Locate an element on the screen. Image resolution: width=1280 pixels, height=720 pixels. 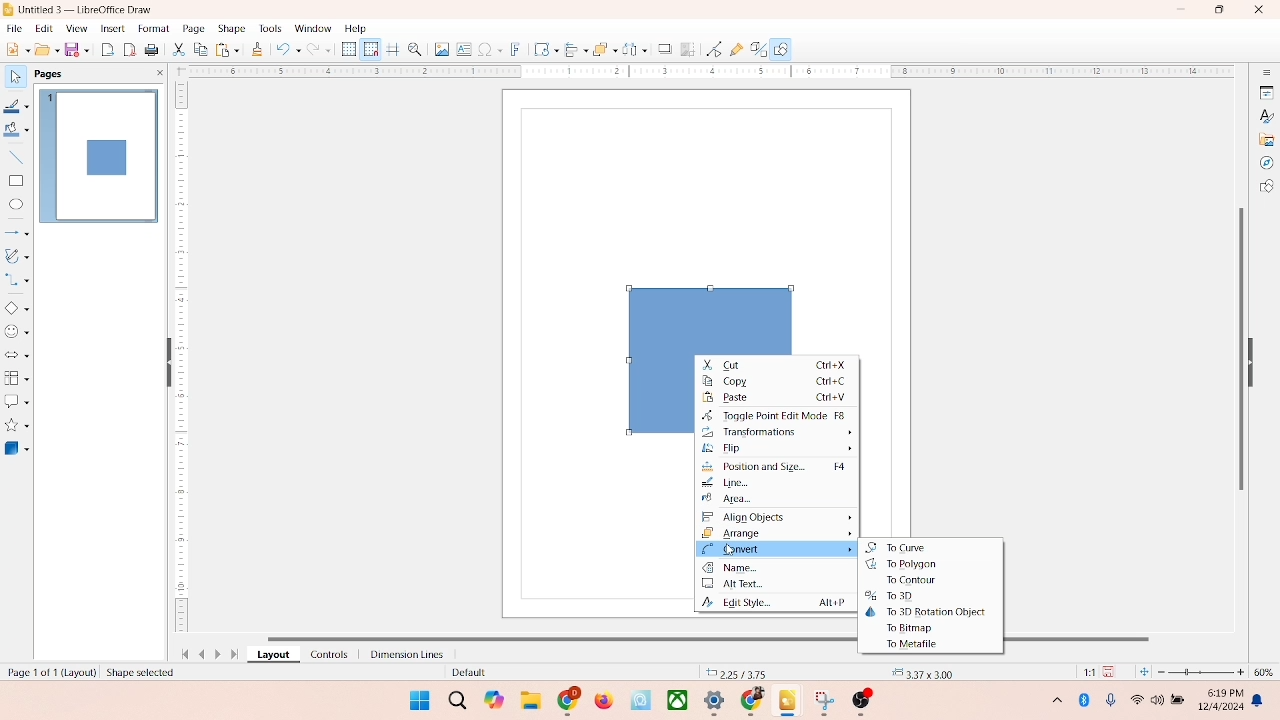
to polygon is located at coordinates (901, 564).